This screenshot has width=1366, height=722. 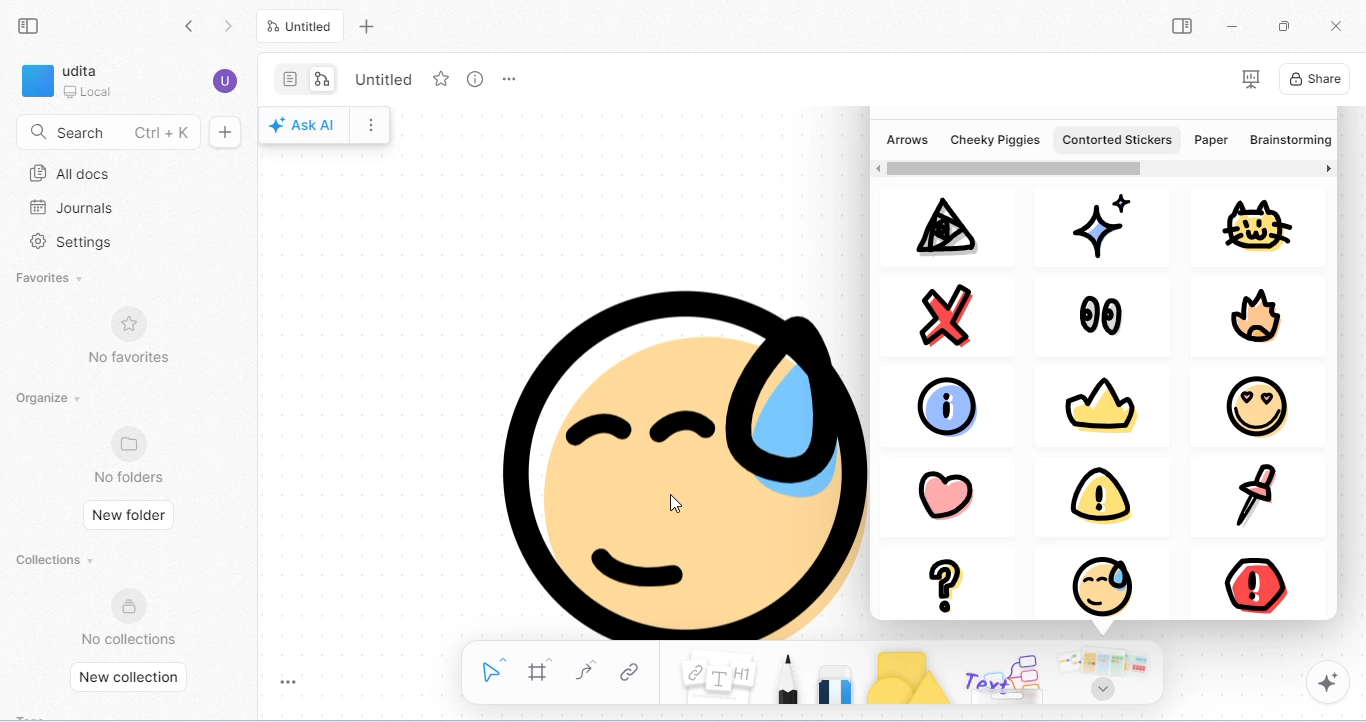 I want to click on edgeless mode, so click(x=322, y=80).